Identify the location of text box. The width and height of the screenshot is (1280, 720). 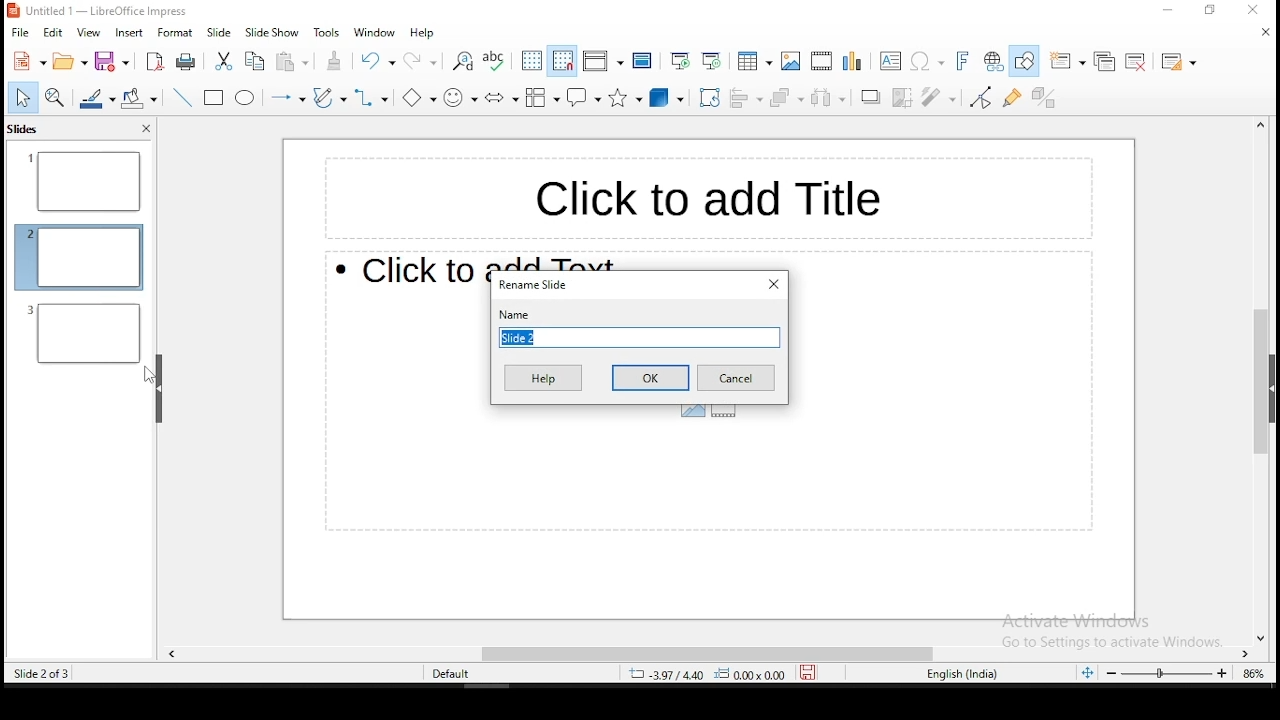
(699, 194).